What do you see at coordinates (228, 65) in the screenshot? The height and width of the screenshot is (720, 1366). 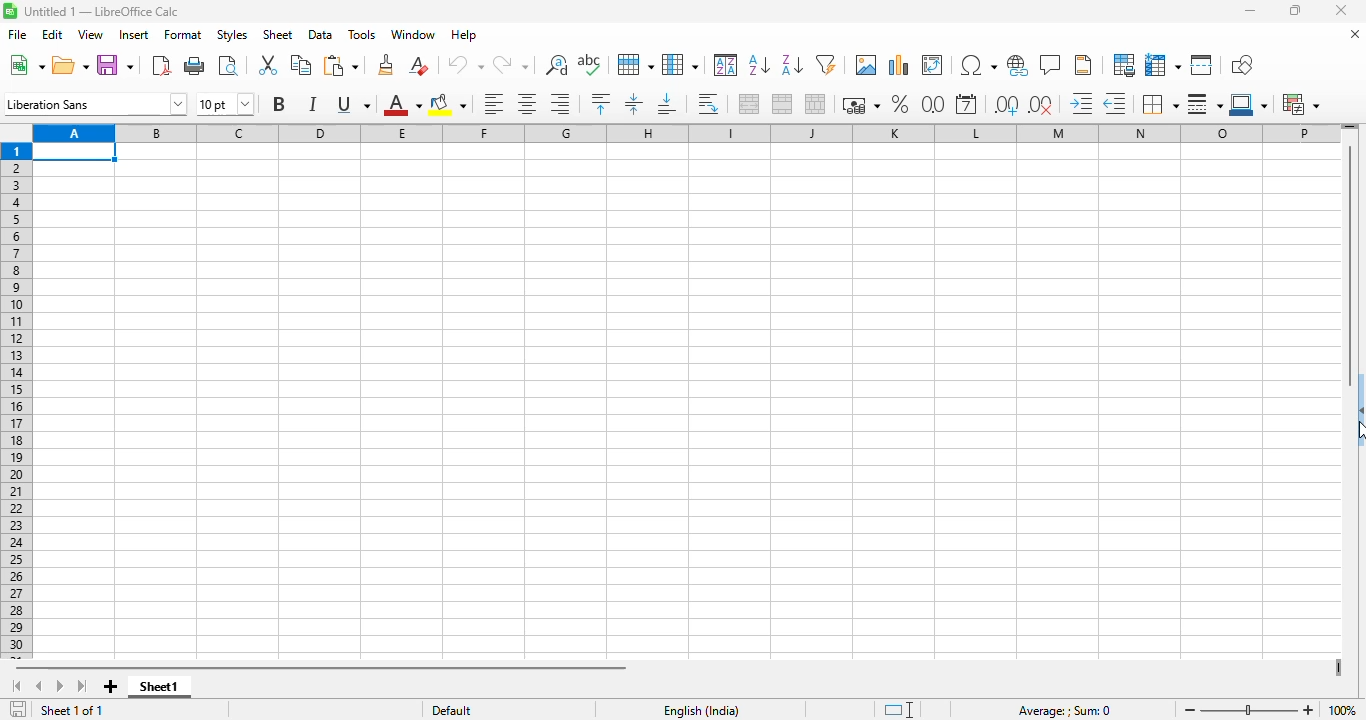 I see `toggle print preview` at bounding box center [228, 65].